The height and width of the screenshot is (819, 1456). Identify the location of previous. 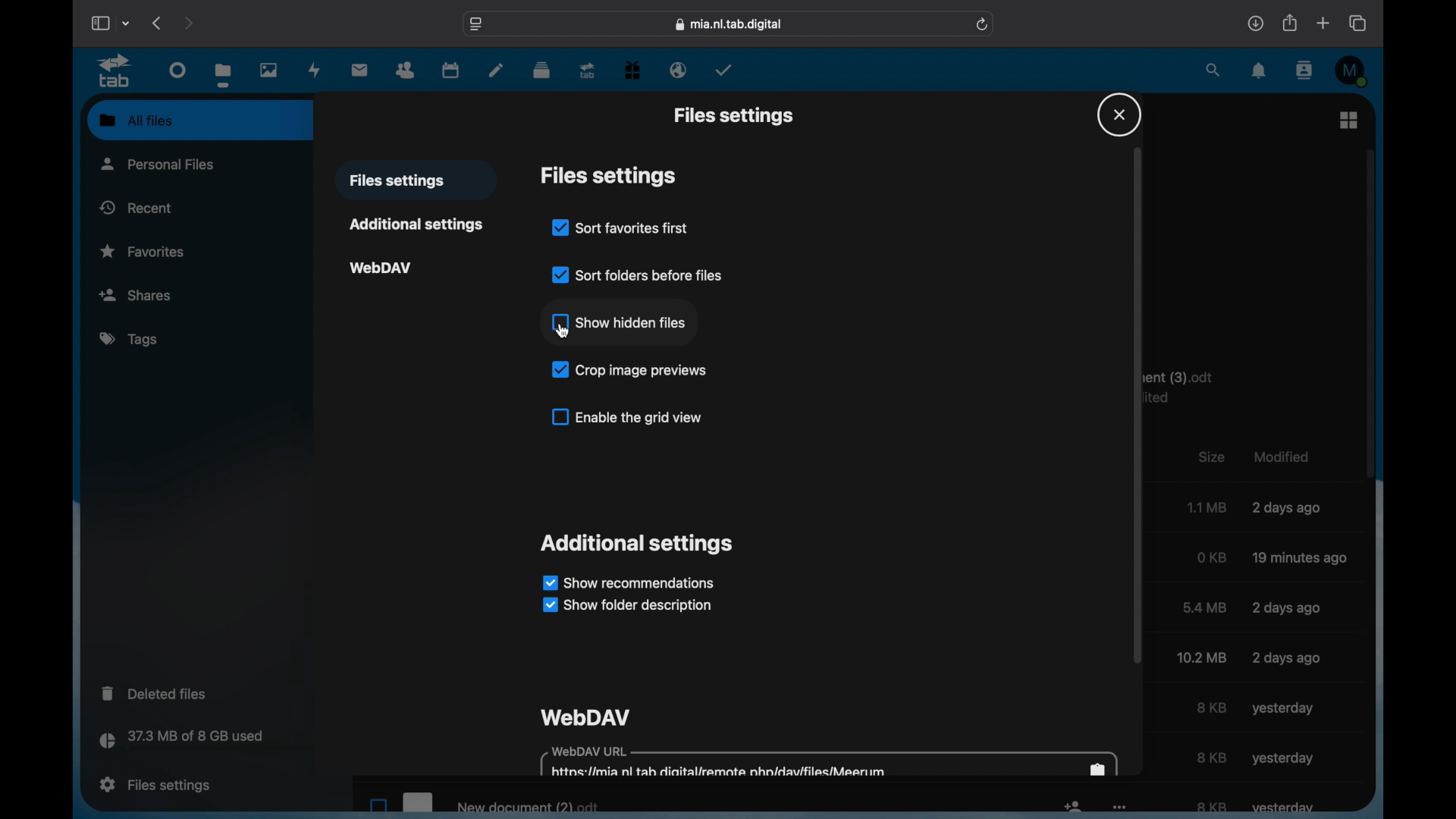
(158, 24).